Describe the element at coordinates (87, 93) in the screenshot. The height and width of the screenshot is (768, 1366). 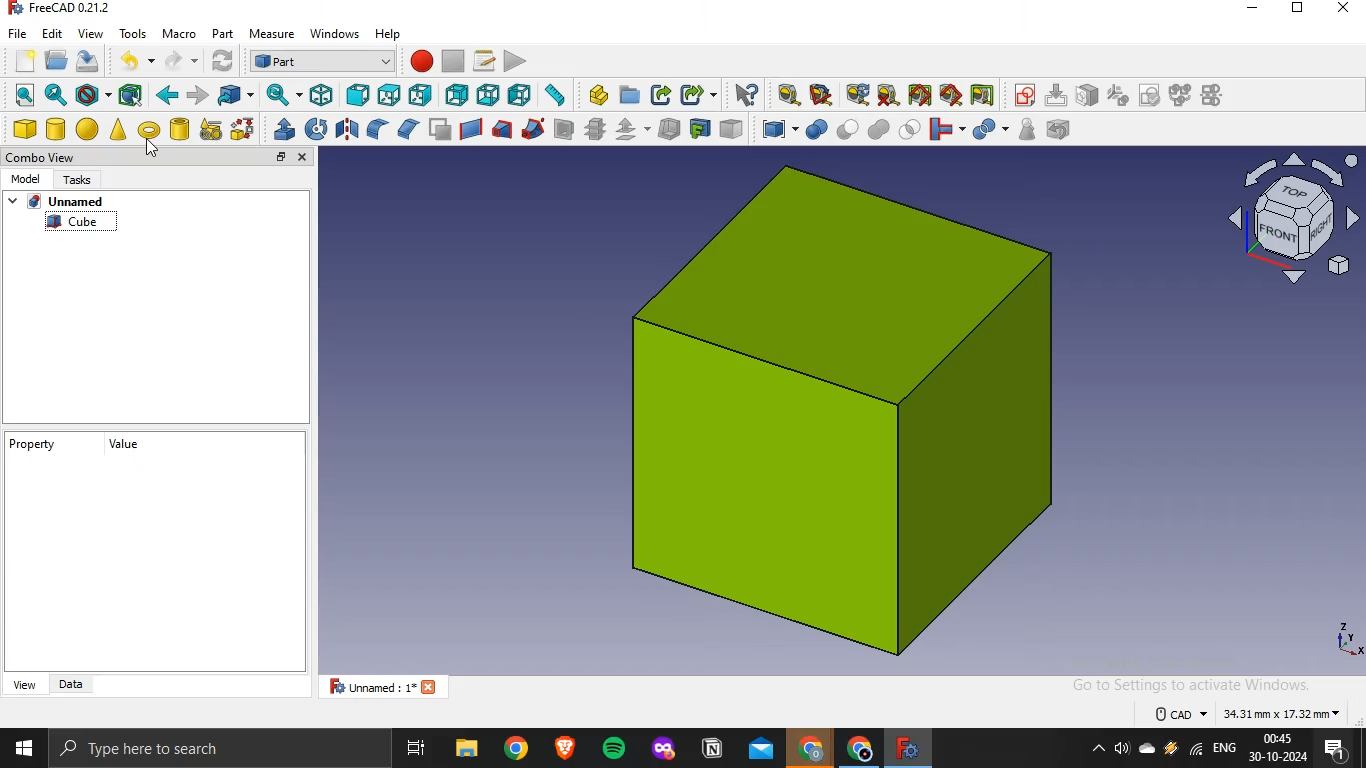
I see `draw style` at that location.